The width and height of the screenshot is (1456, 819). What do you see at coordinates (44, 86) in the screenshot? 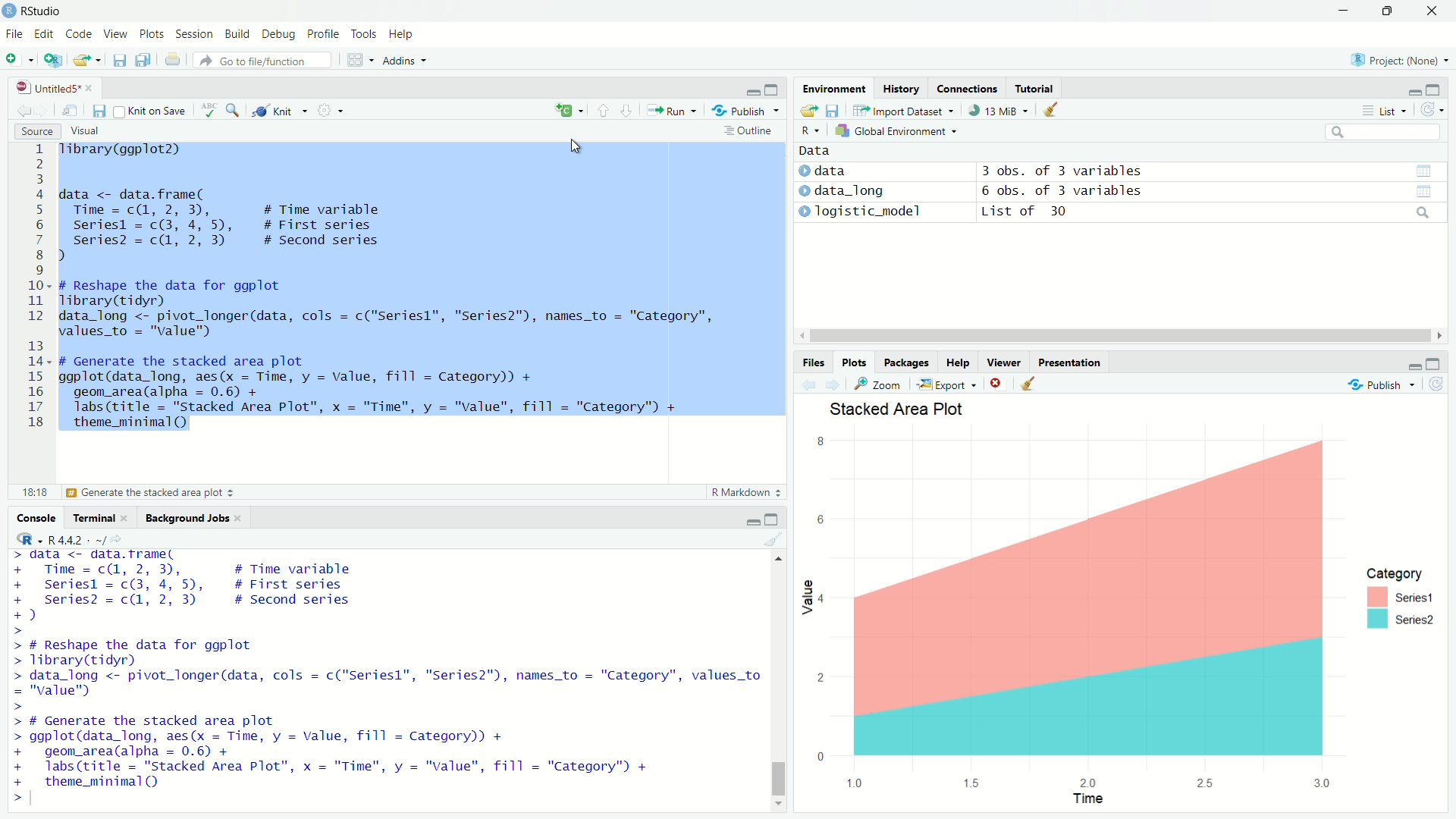
I see `Untitled5*` at bounding box center [44, 86].